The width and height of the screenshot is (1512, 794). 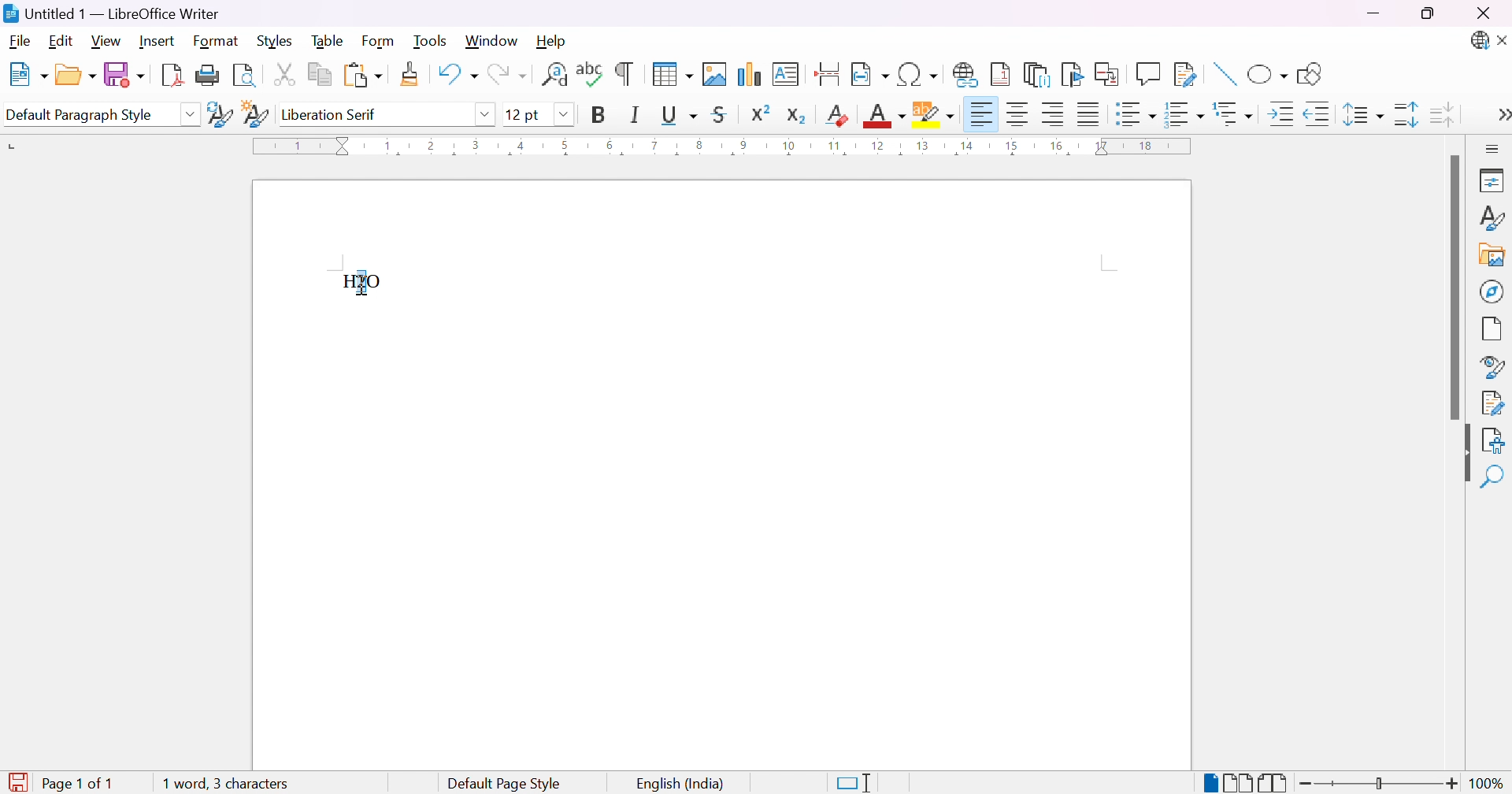 What do you see at coordinates (785, 74) in the screenshot?
I see `Insert text box` at bounding box center [785, 74].